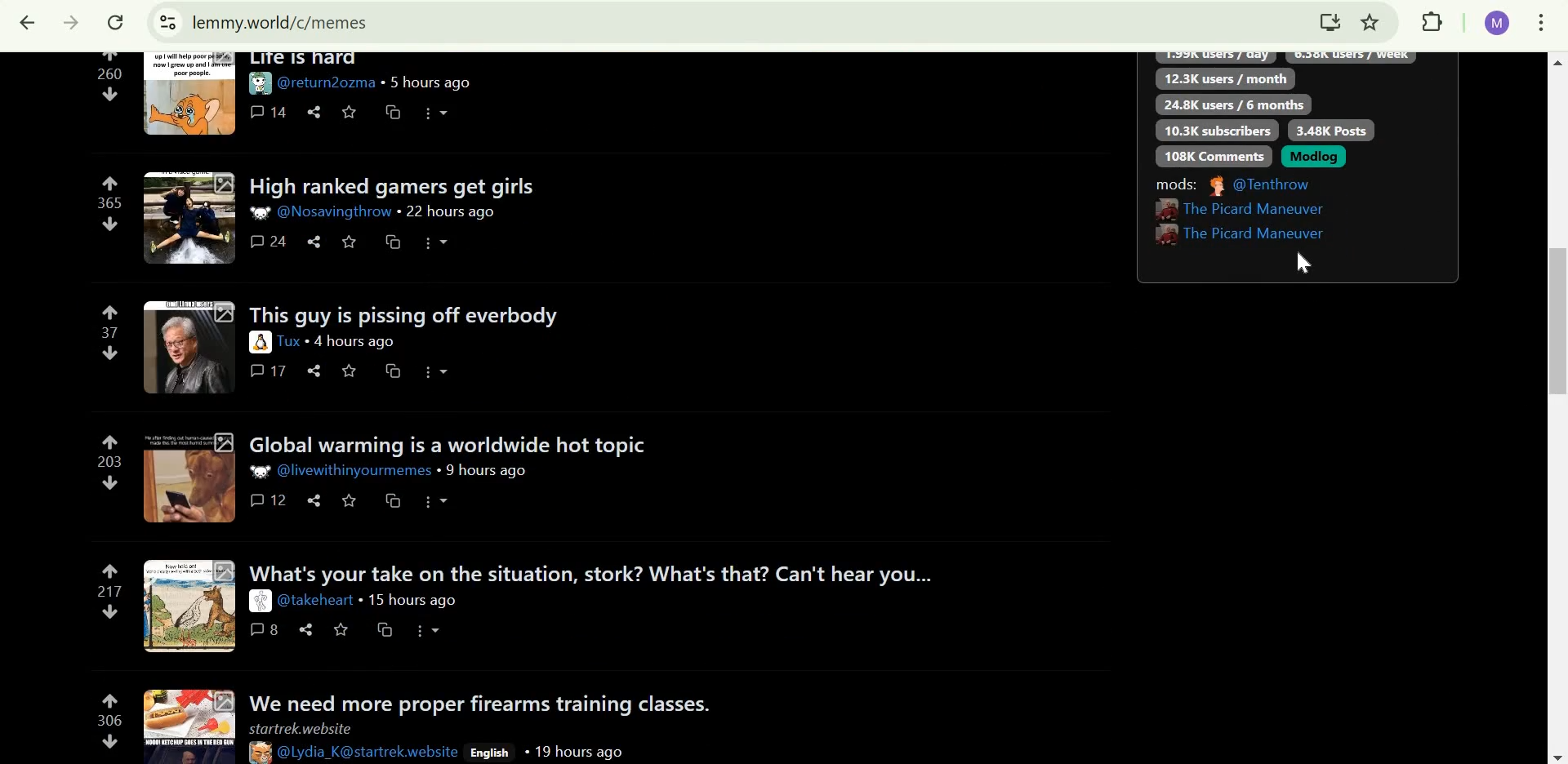 Image resolution: width=1568 pixels, height=764 pixels. Describe the element at coordinates (111, 591) in the screenshot. I see `217 points` at that location.